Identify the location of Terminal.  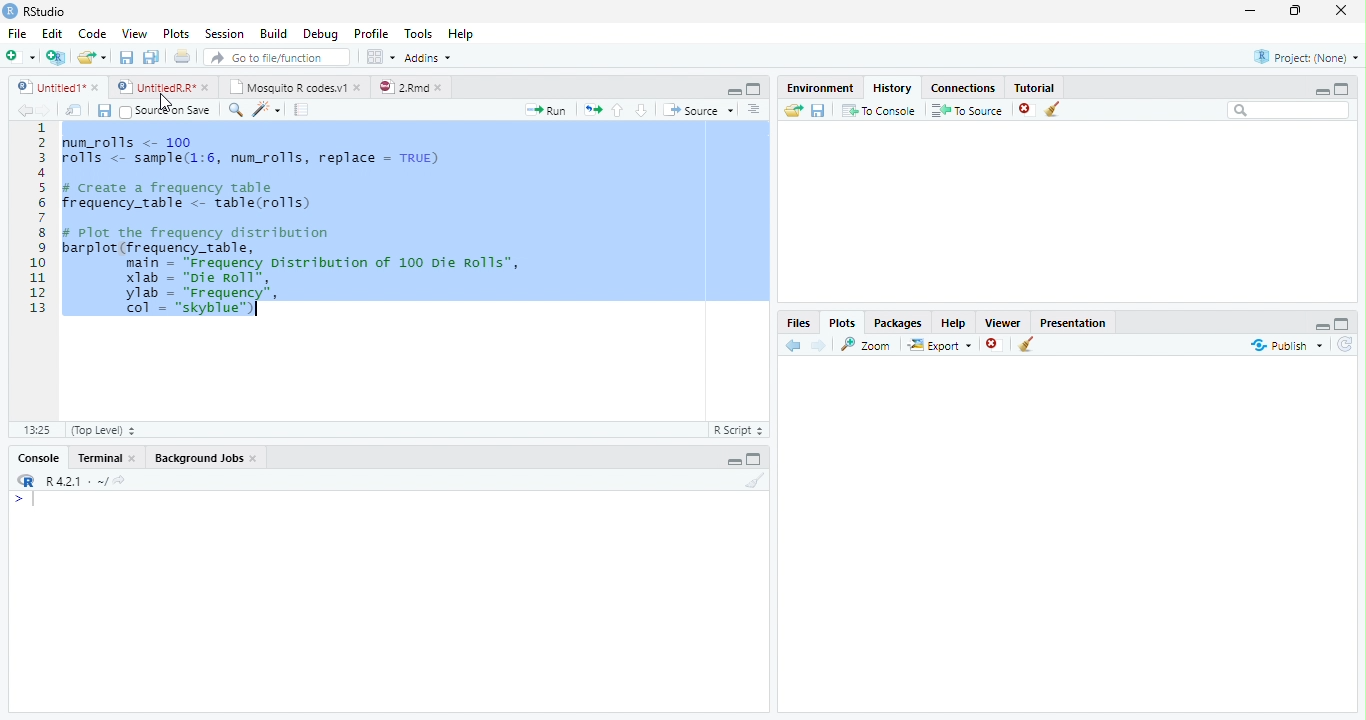
(109, 457).